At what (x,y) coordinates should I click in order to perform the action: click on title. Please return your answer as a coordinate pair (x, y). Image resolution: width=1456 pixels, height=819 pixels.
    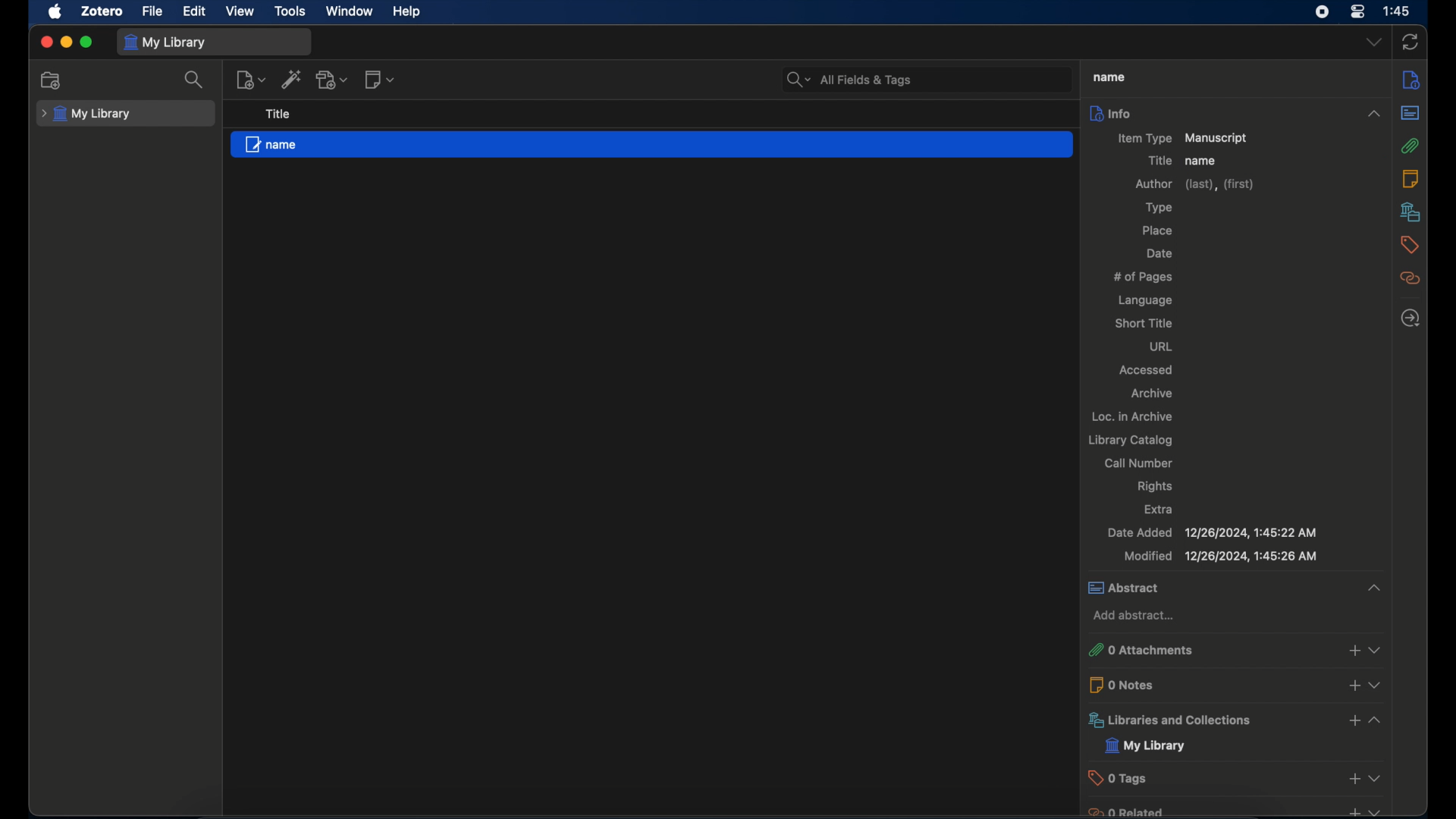
    Looking at the image, I should click on (1159, 161).